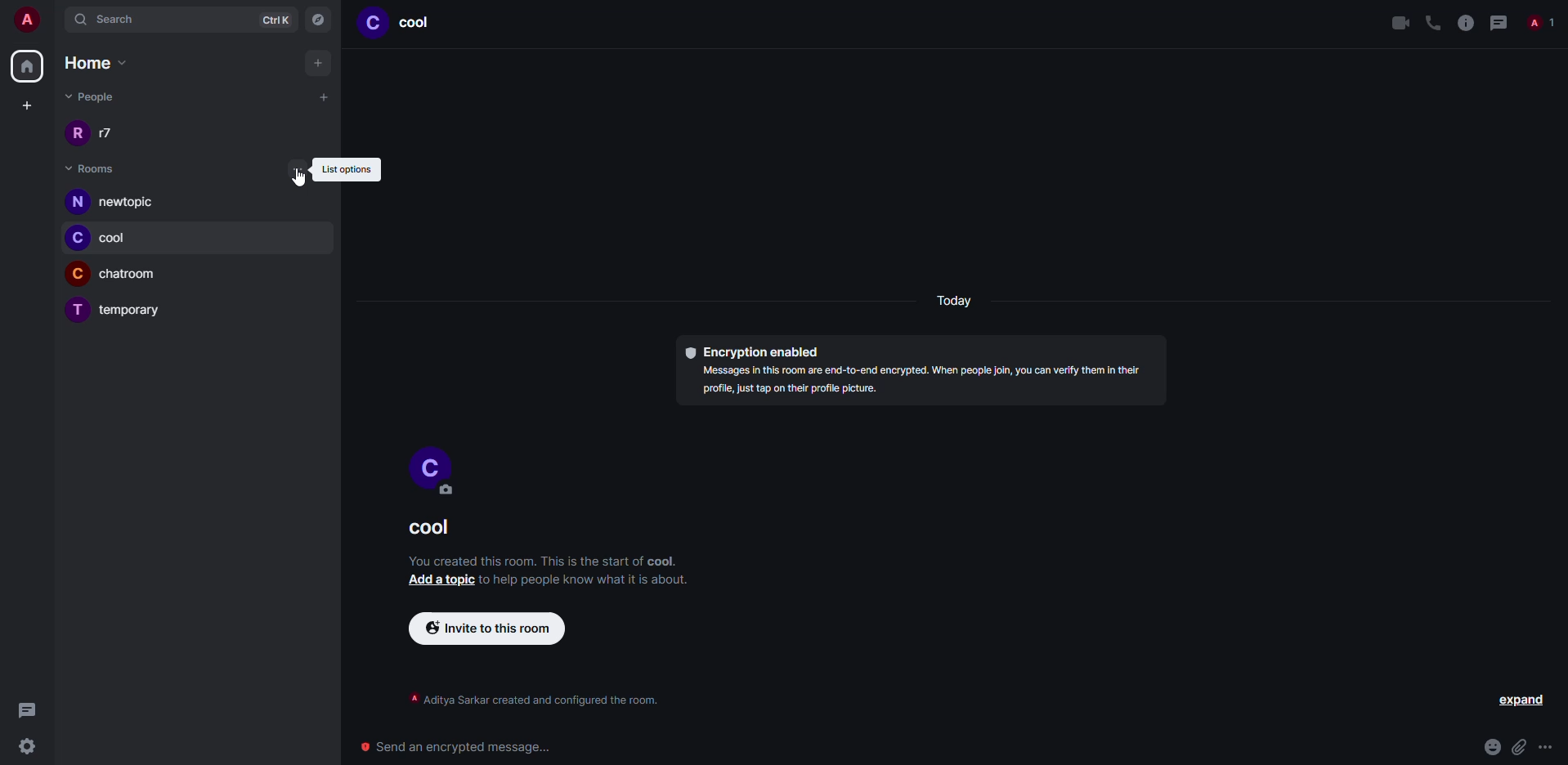  Describe the element at coordinates (299, 181) in the screenshot. I see `cursor` at that location.